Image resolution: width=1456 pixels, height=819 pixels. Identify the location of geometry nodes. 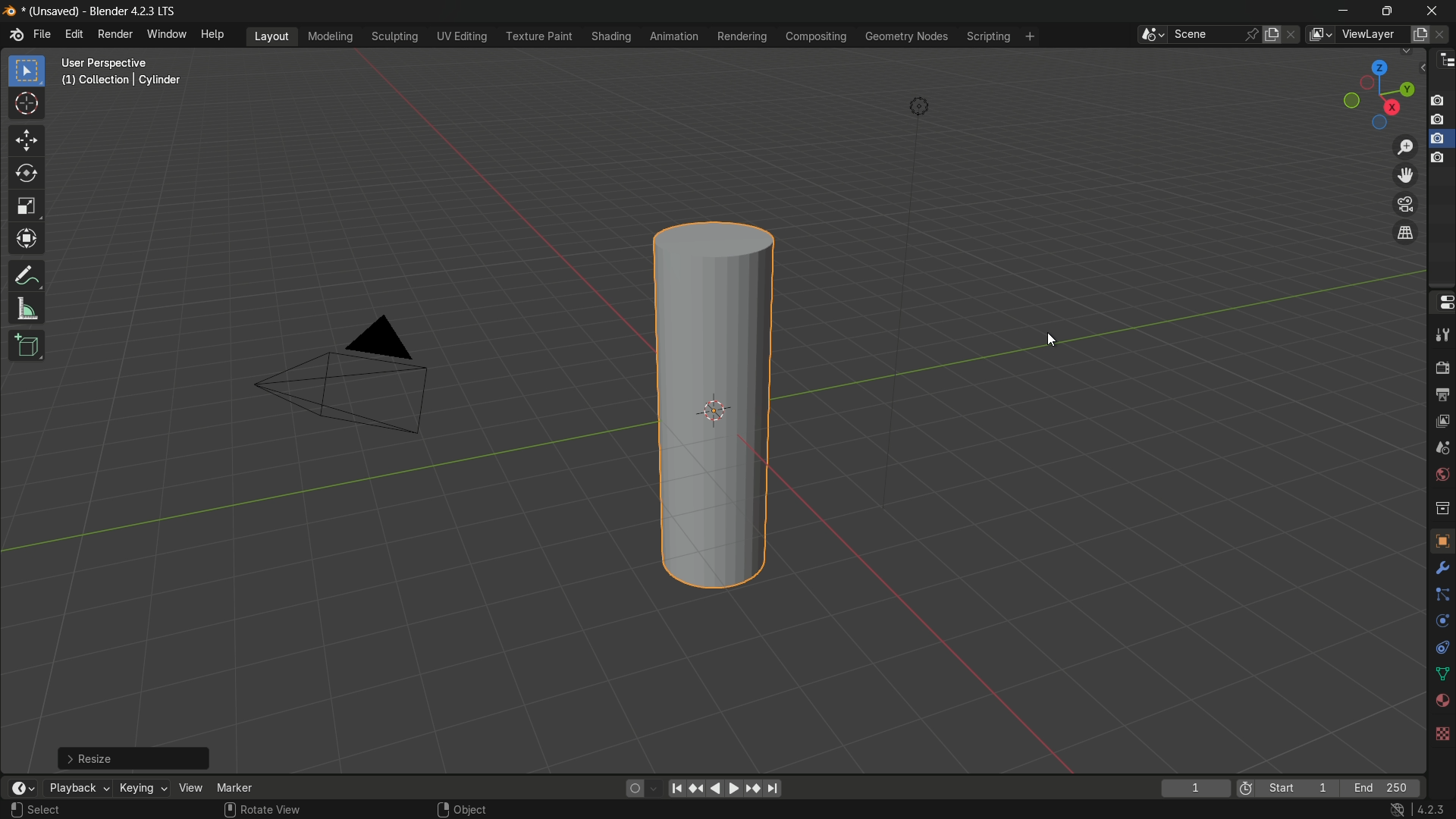
(907, 37).